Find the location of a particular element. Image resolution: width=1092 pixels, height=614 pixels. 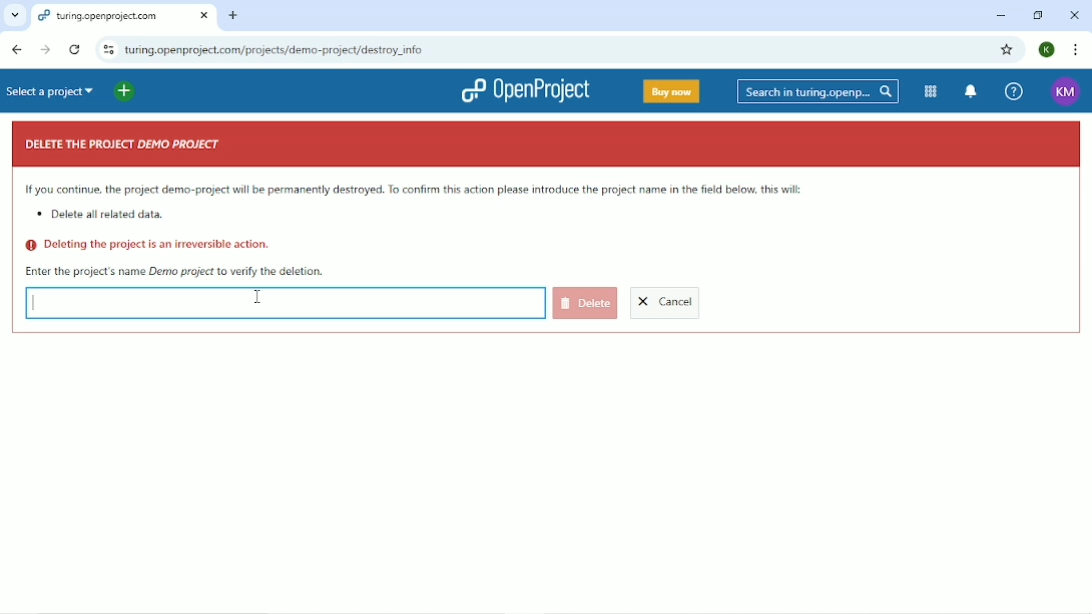

Delete is located at coordinates (585, 302).